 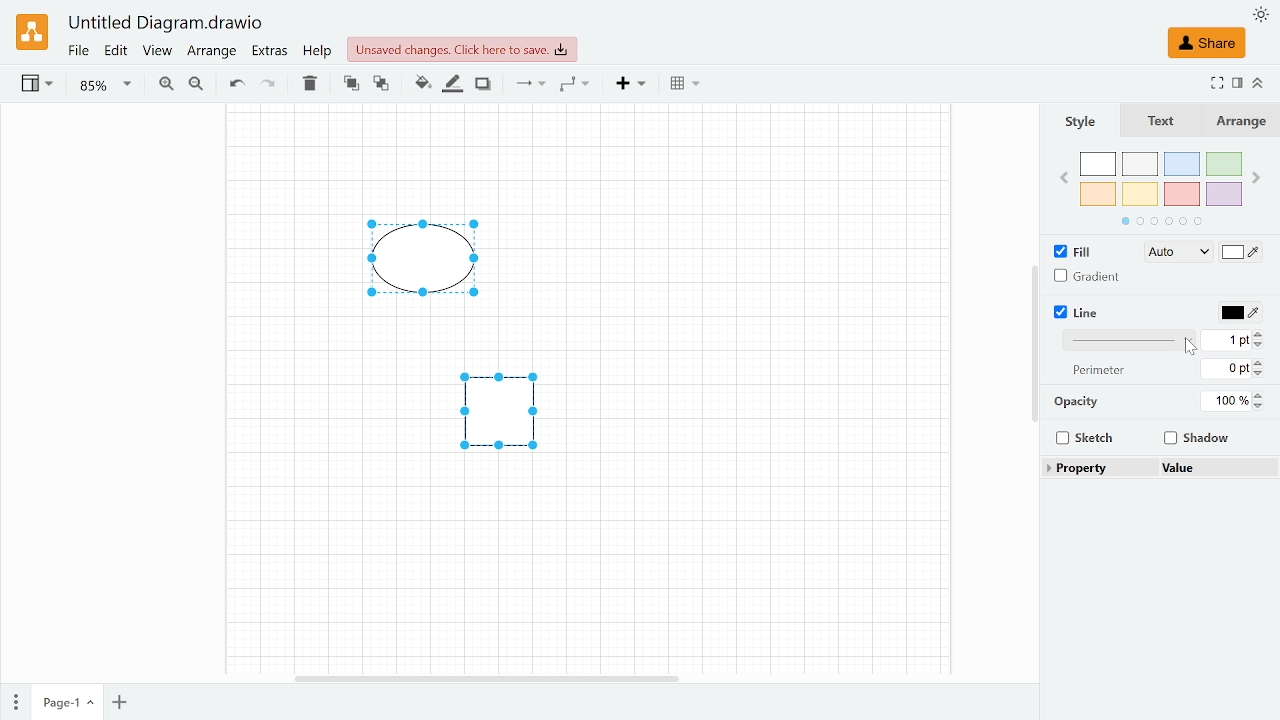 What do you see at coordinates (66, 703) in the screenshot?
I see `Current page` at bounding box center [66, 703].